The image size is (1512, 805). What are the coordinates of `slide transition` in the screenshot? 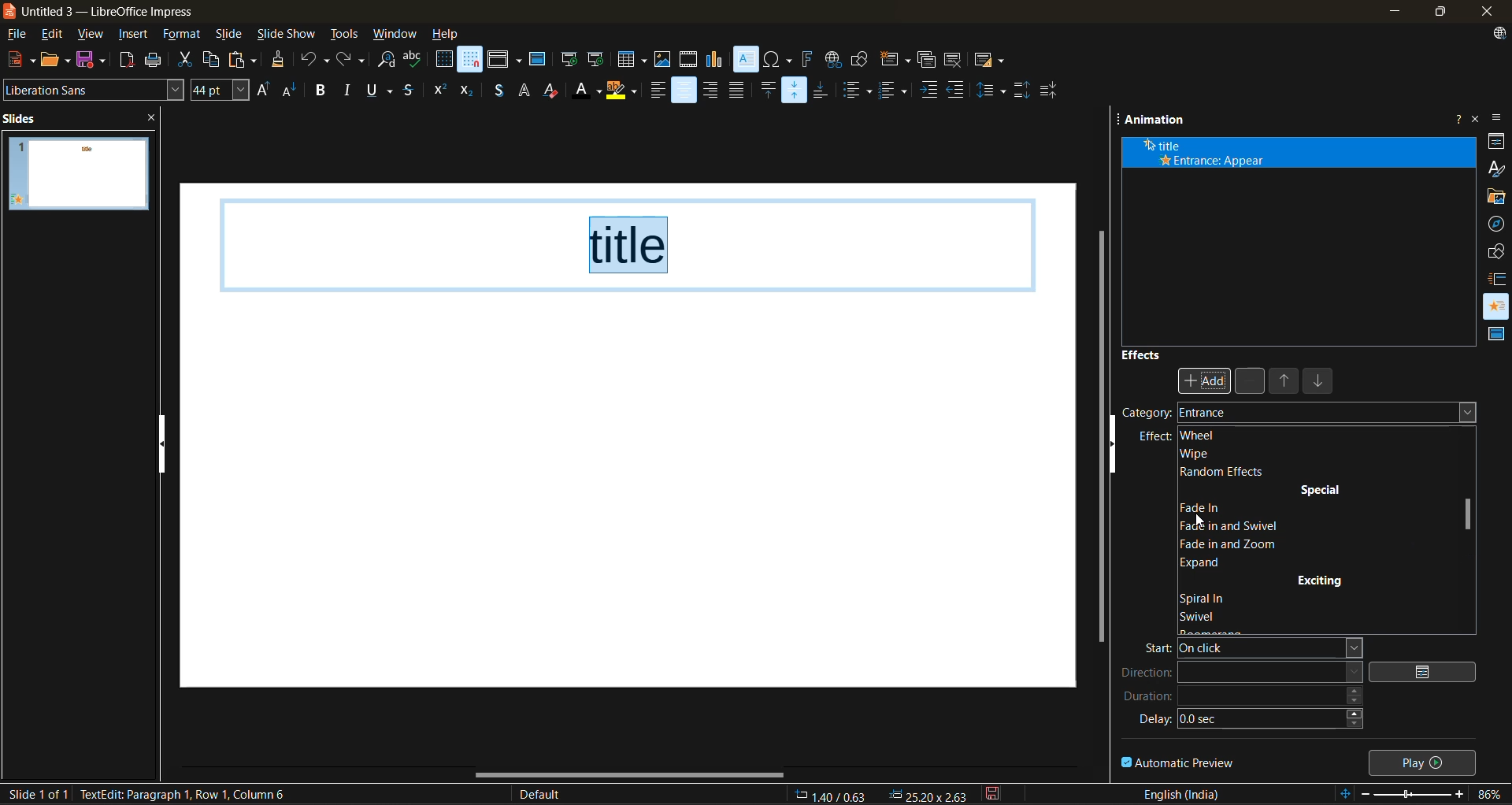 It's located at (1499, 278).